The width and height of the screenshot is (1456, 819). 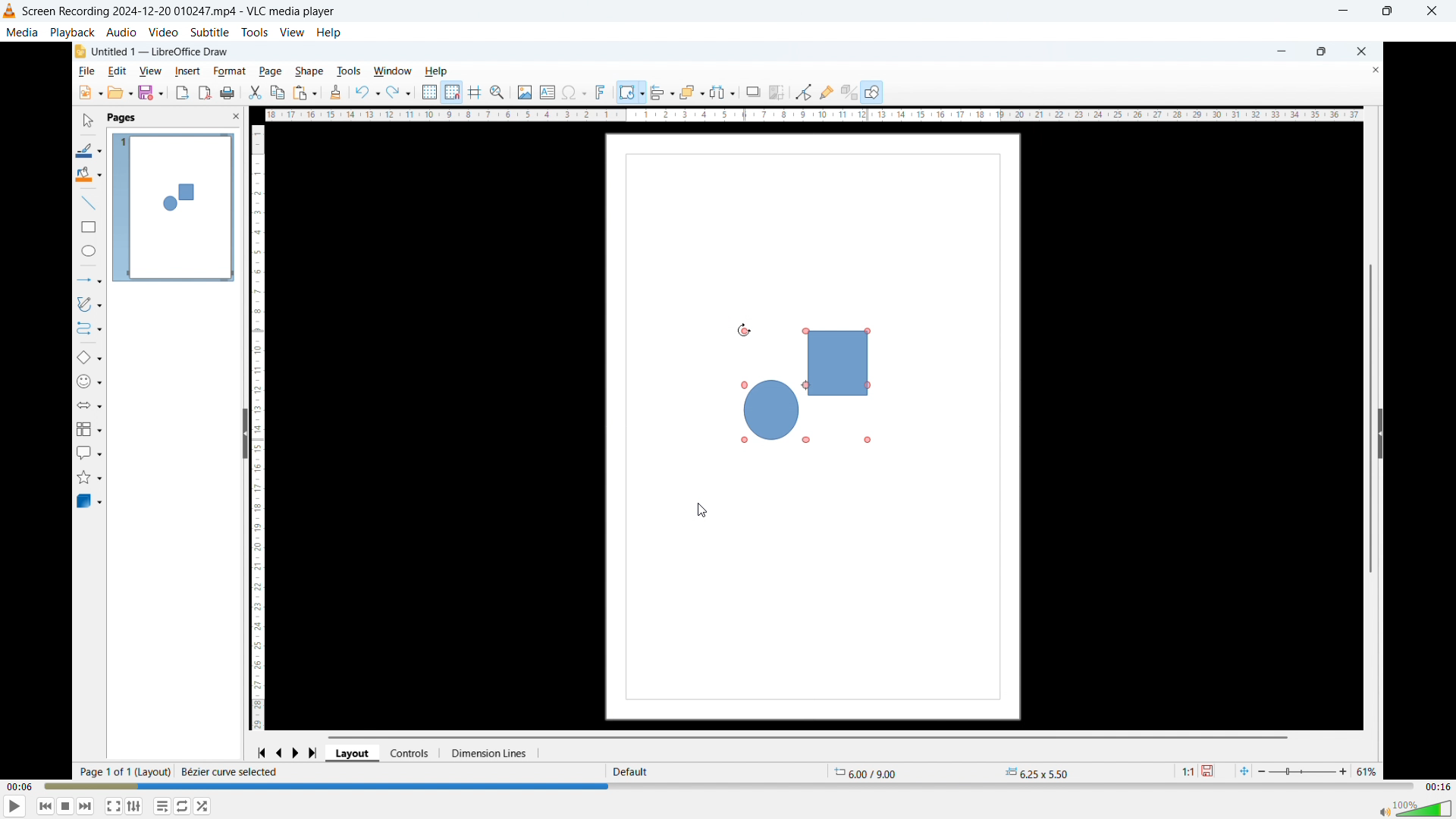 I want to click on view , so click(x=291, y=32).